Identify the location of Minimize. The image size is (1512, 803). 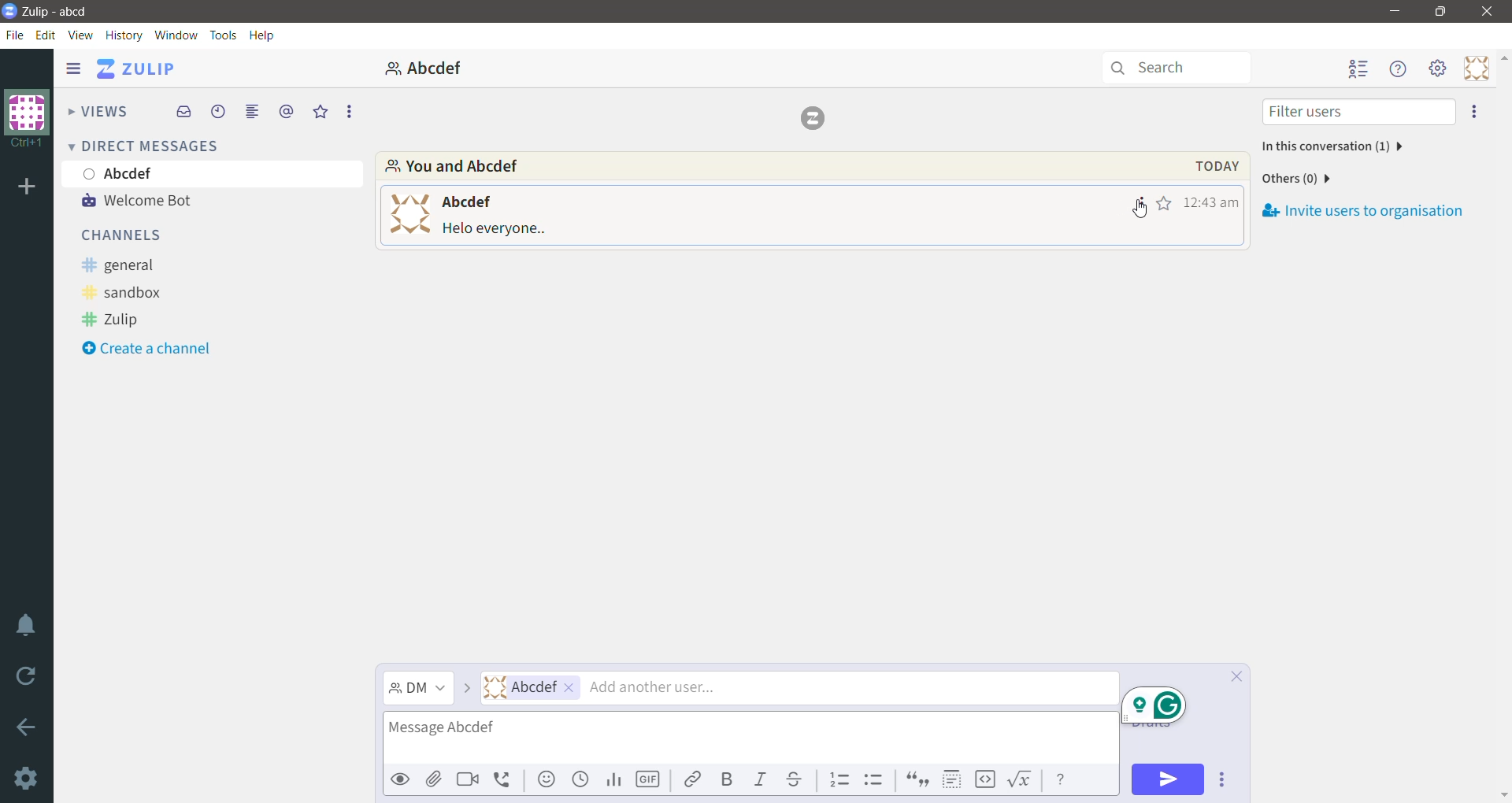
(1396, 11).